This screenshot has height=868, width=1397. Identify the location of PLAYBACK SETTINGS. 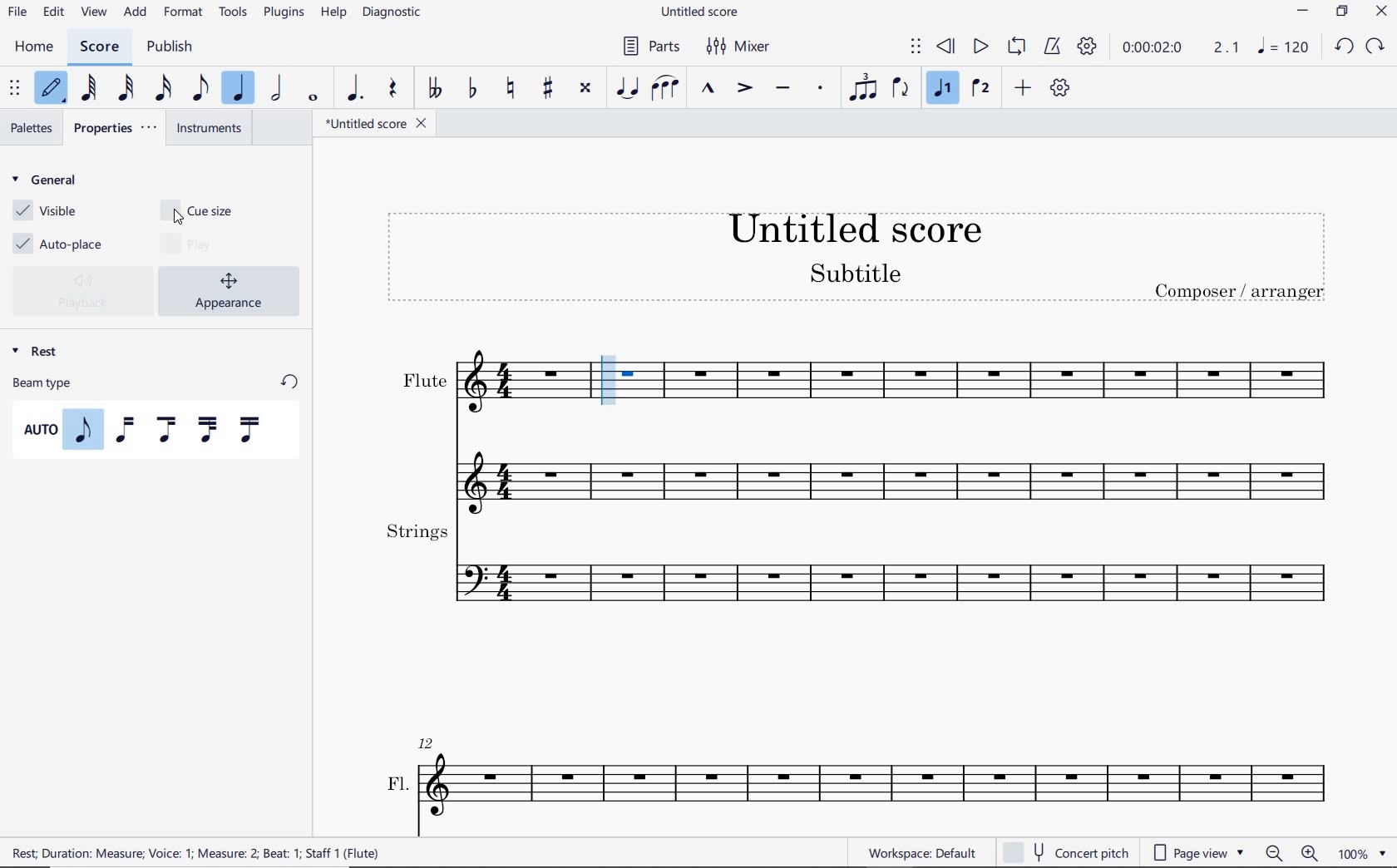
(1088, 49).